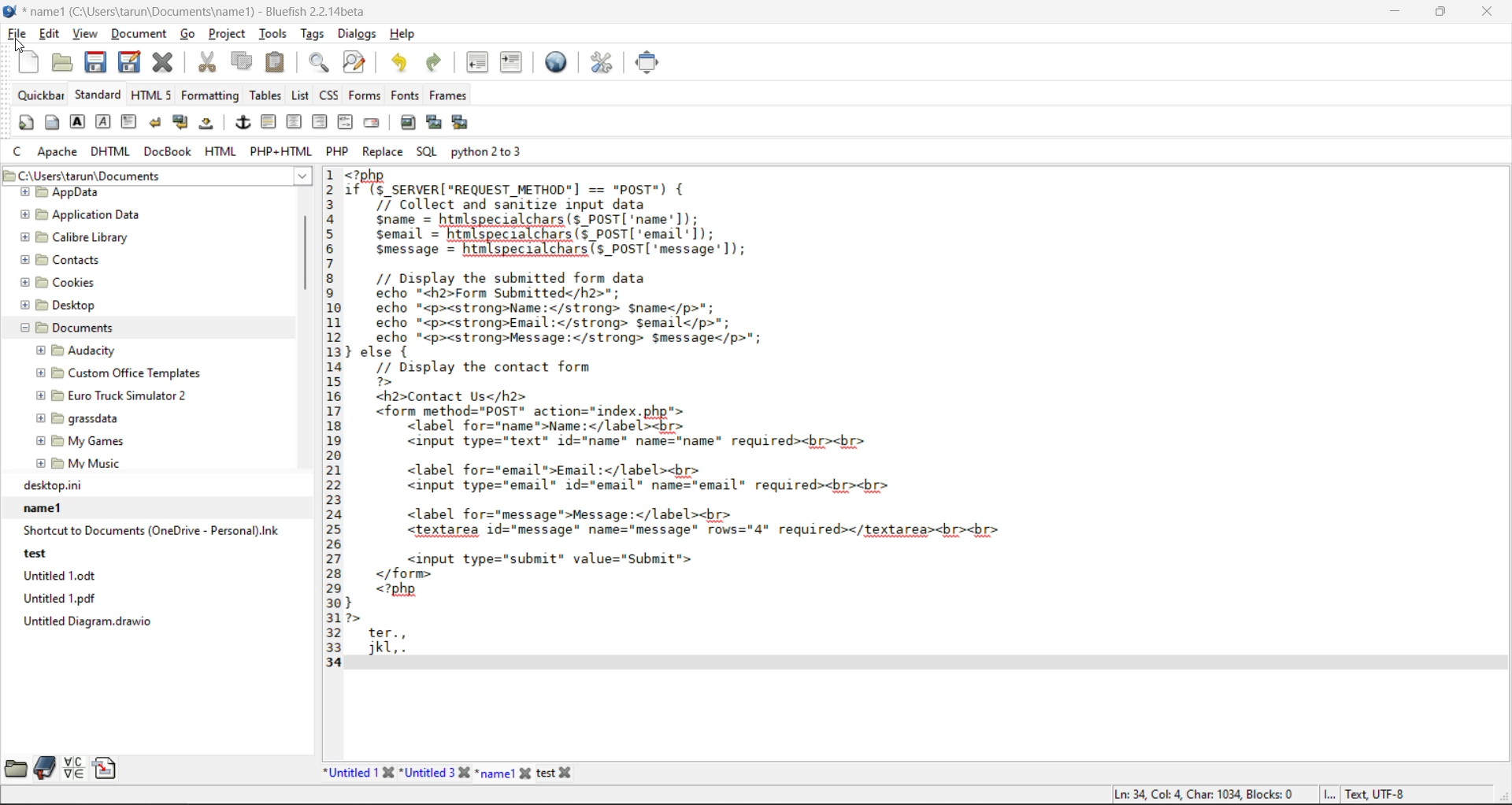 The width and height of the screenshot is (1512, 805). I want to click on view, so click(87, 36).